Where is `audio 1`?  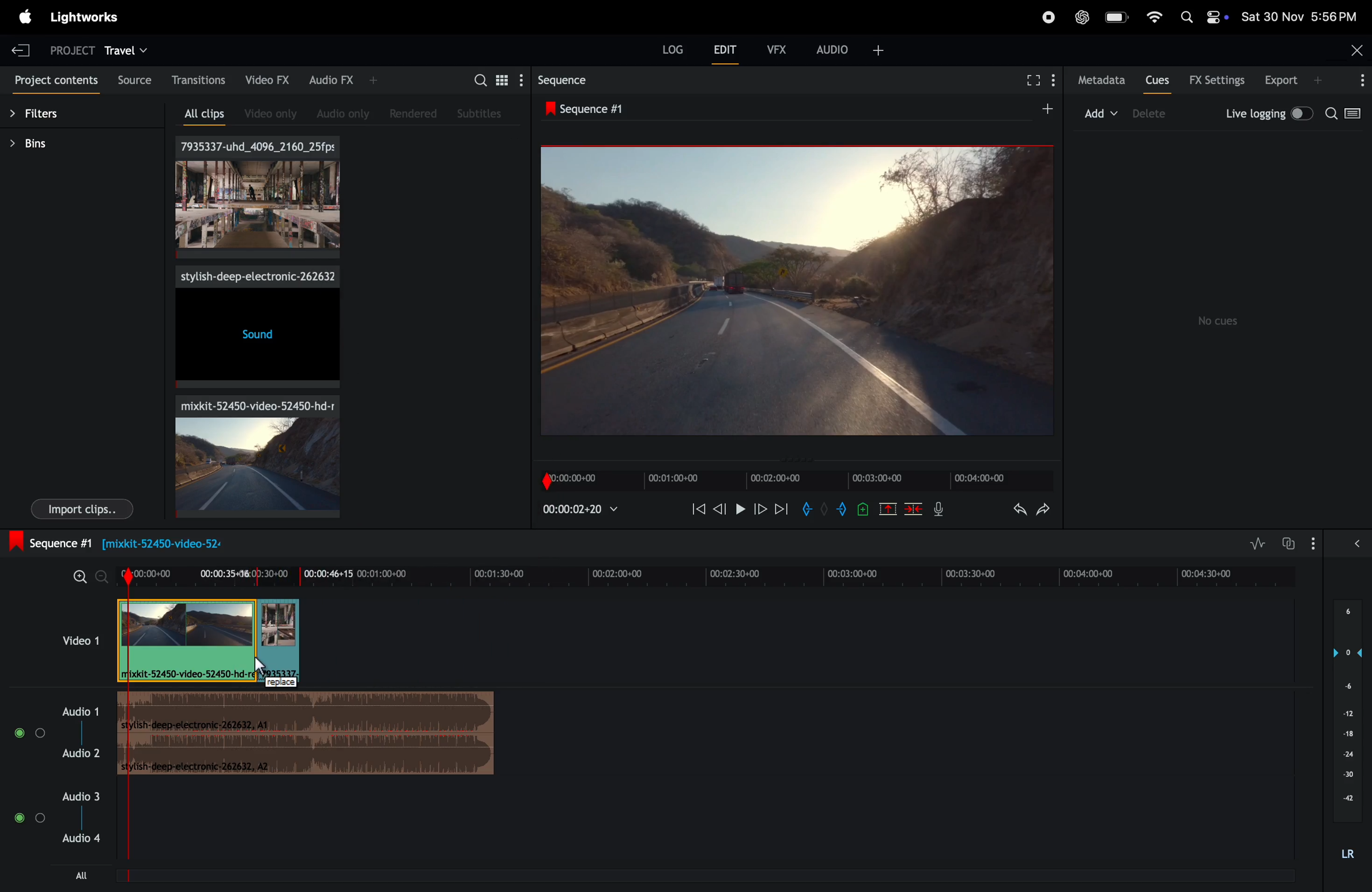 audio 1 is located at coordinates (54, 731).